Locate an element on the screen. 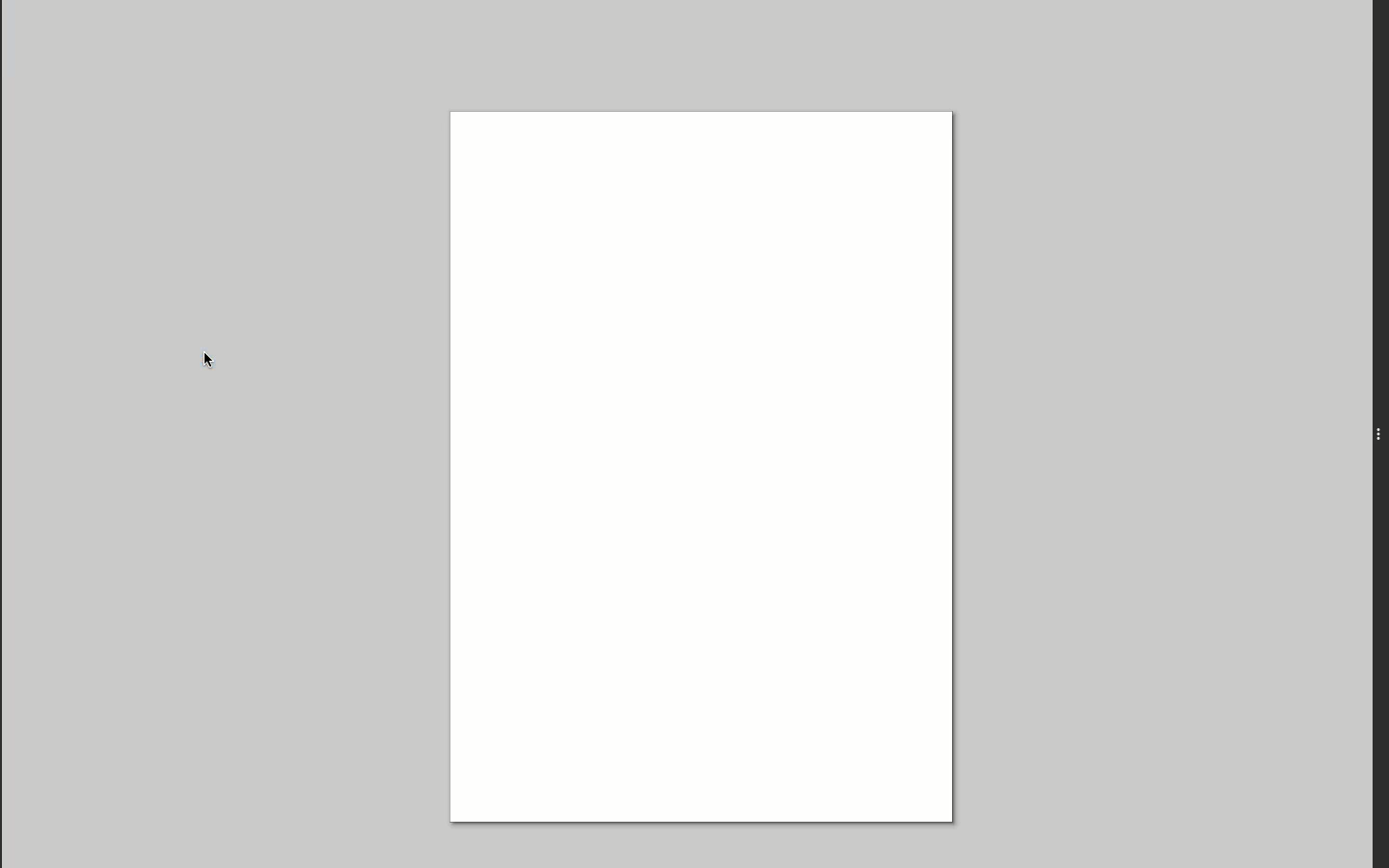  cursor is located at coordinates (225, 367).